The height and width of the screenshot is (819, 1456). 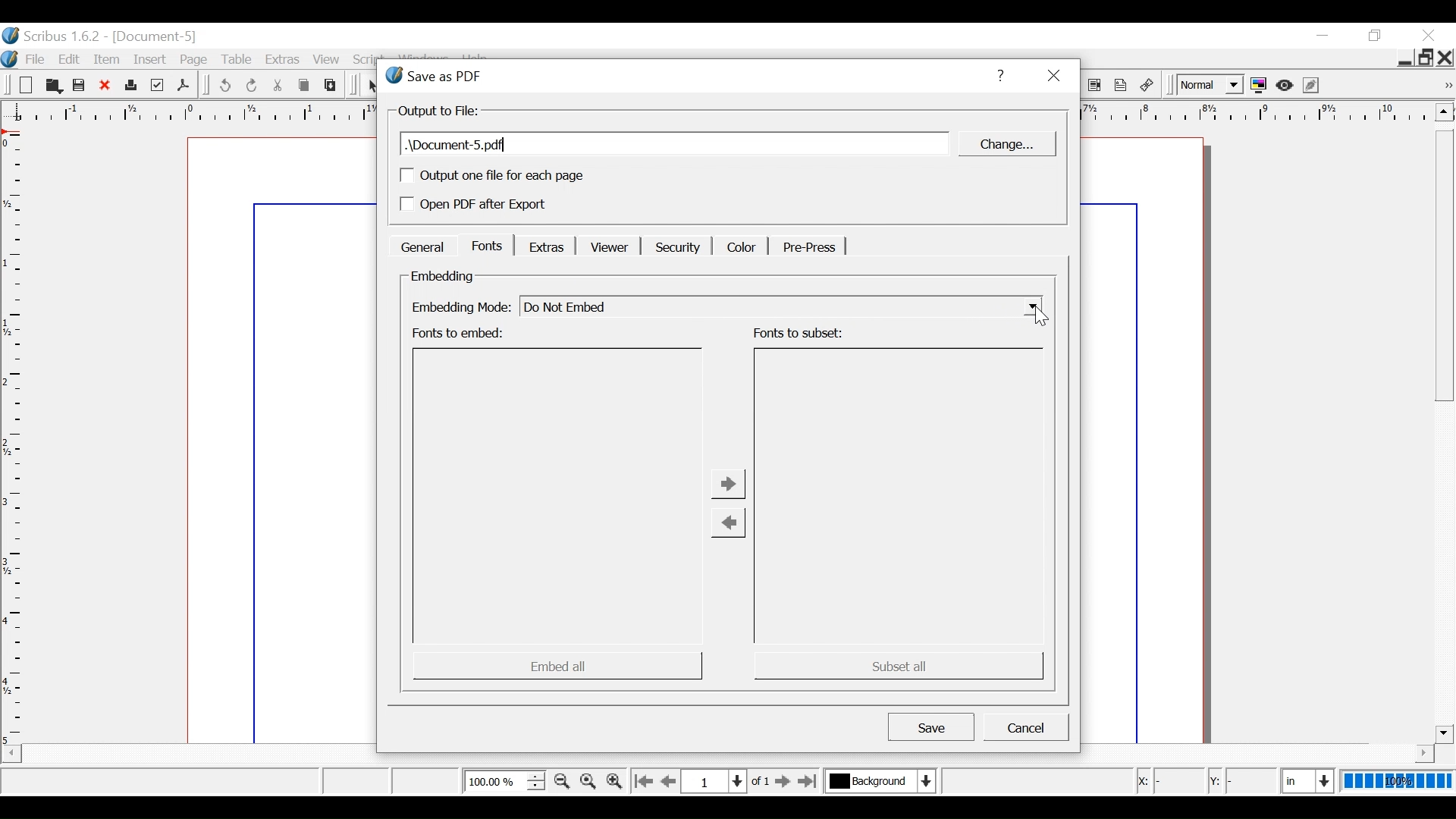 What do you see at coordinates (71, 59) in the screenshot?
I see `Edit` at bounding box center [71, 59].